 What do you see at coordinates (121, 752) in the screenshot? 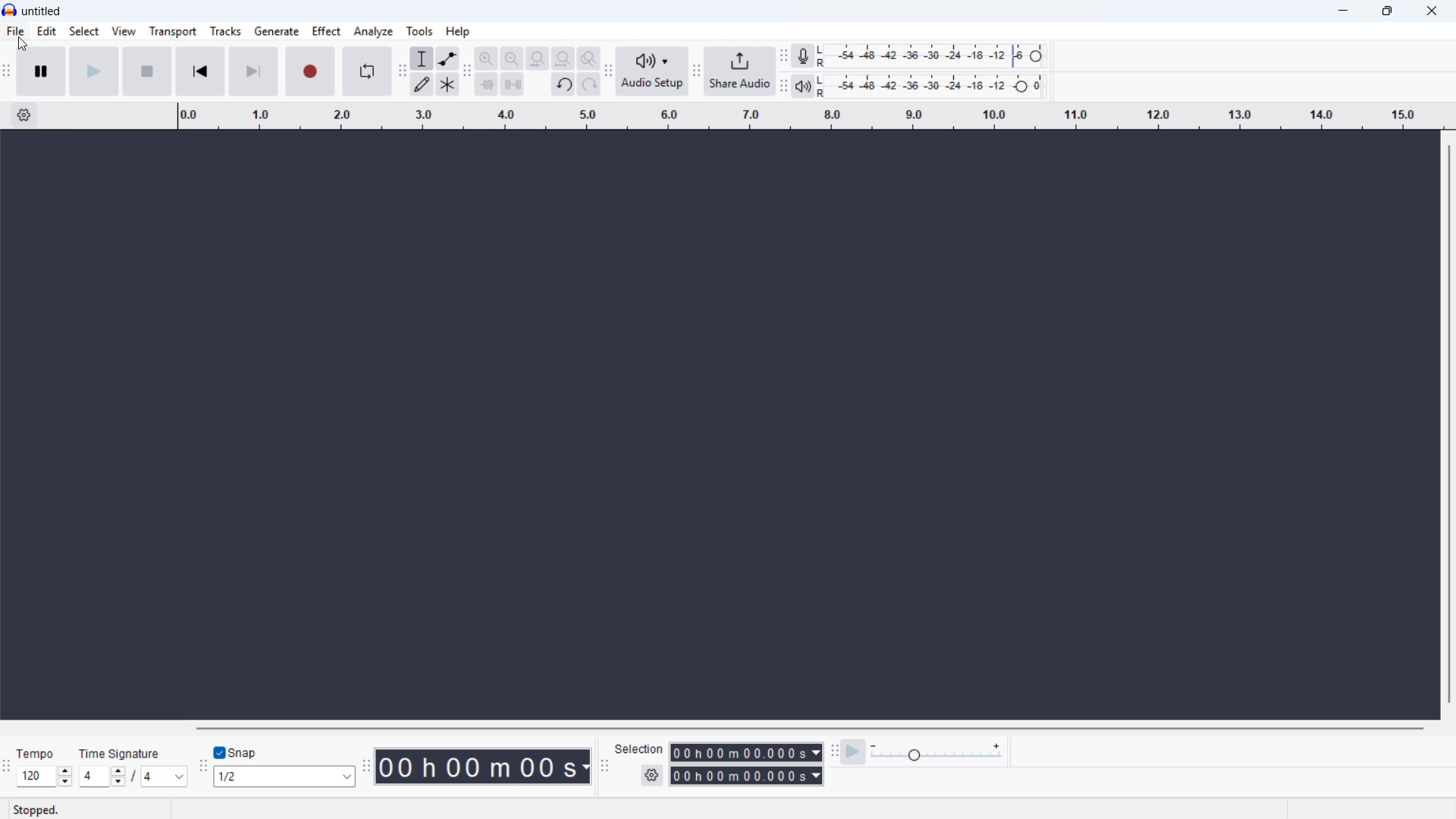
I see `Time signature` at bounding box center [121, 752].